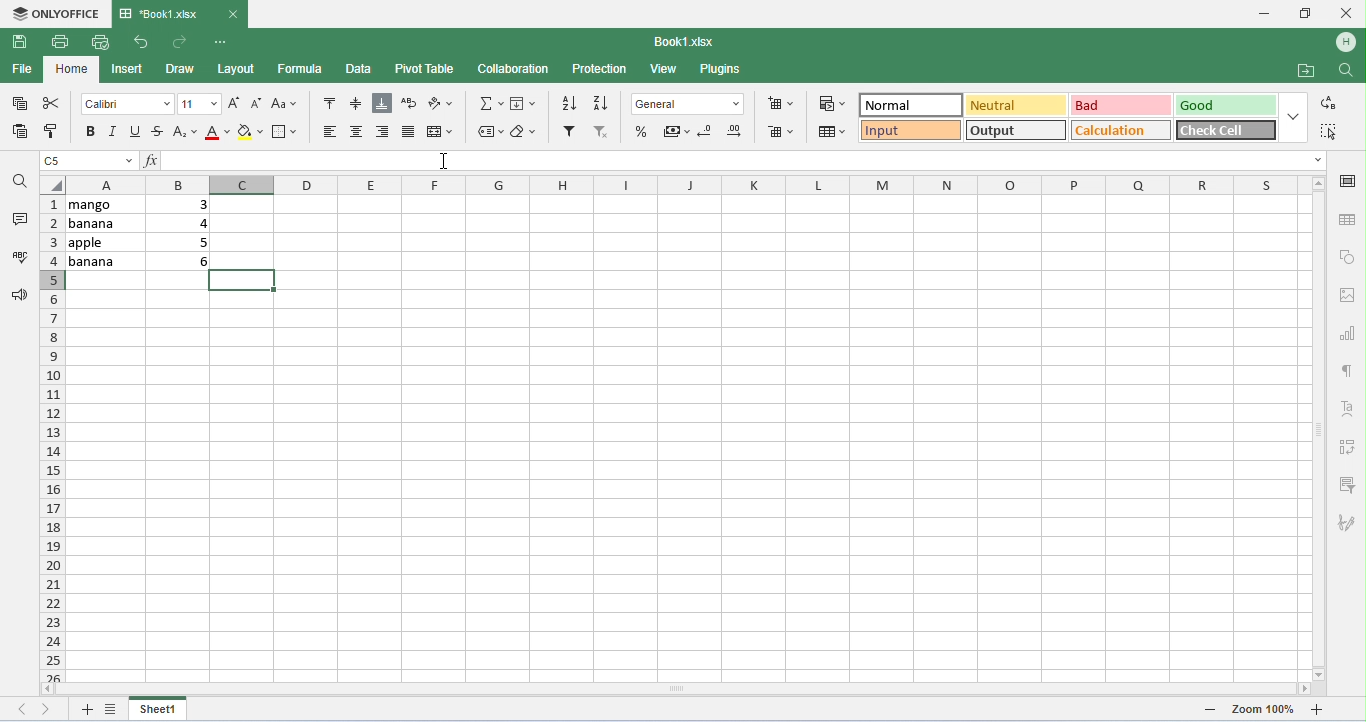 The image size is (1366, 722). Describe the element at coordinates (1303, 13) in the screenshot. I see `maximize` at that location.